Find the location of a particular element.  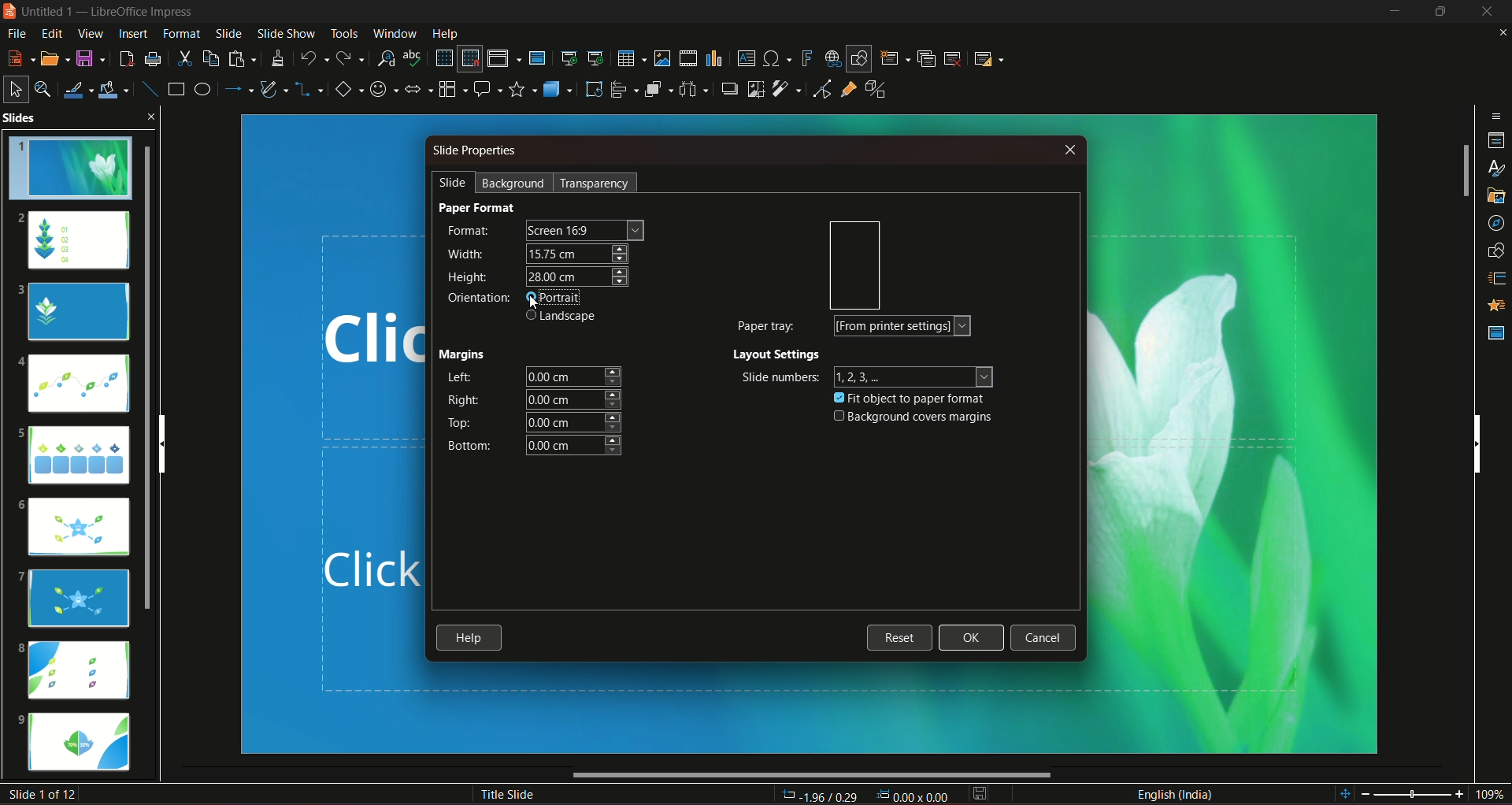

tools is located at coordinates (342, 32).